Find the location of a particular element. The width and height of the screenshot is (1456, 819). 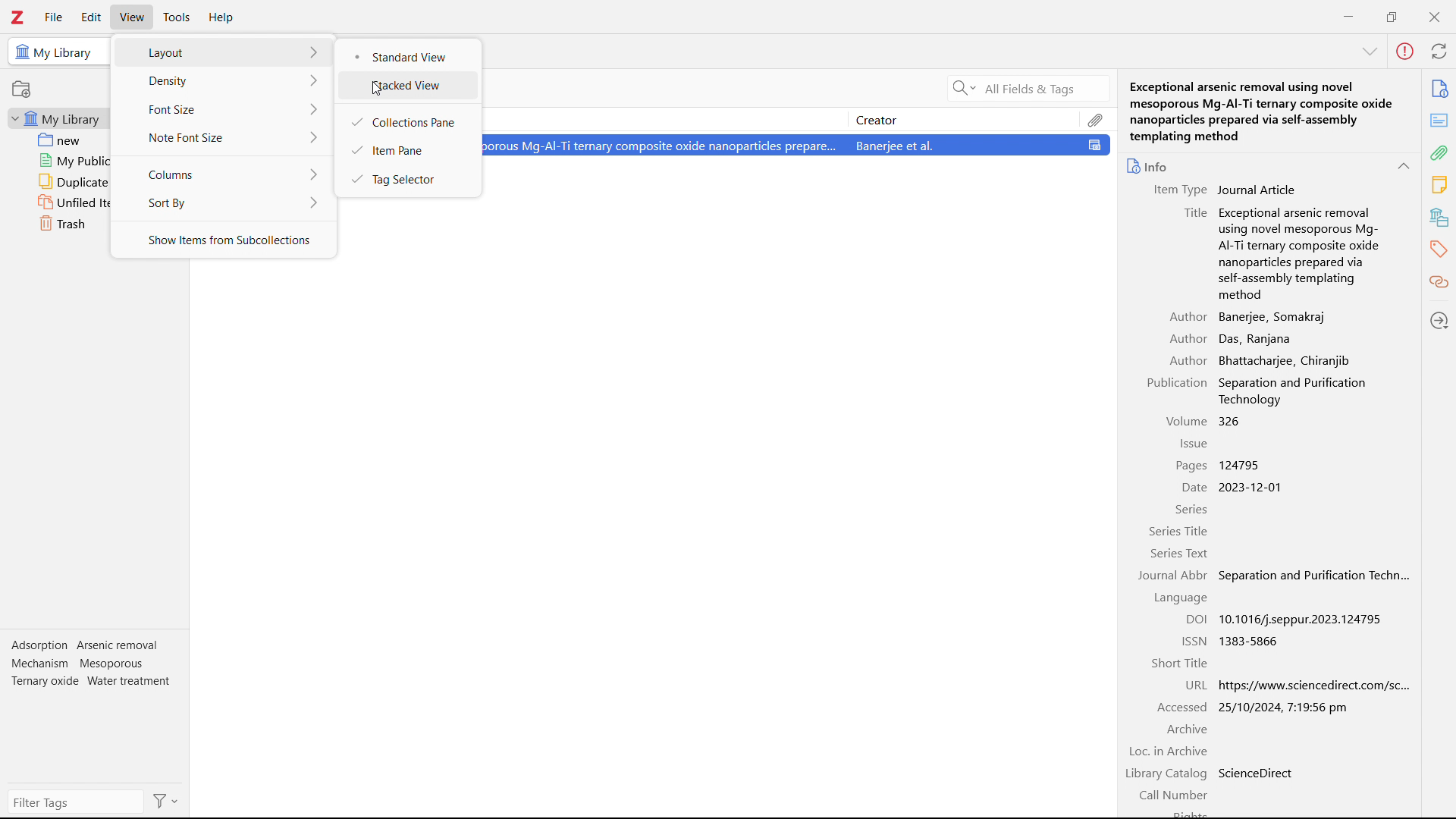

abstract is located at coordinates (1439, 121).